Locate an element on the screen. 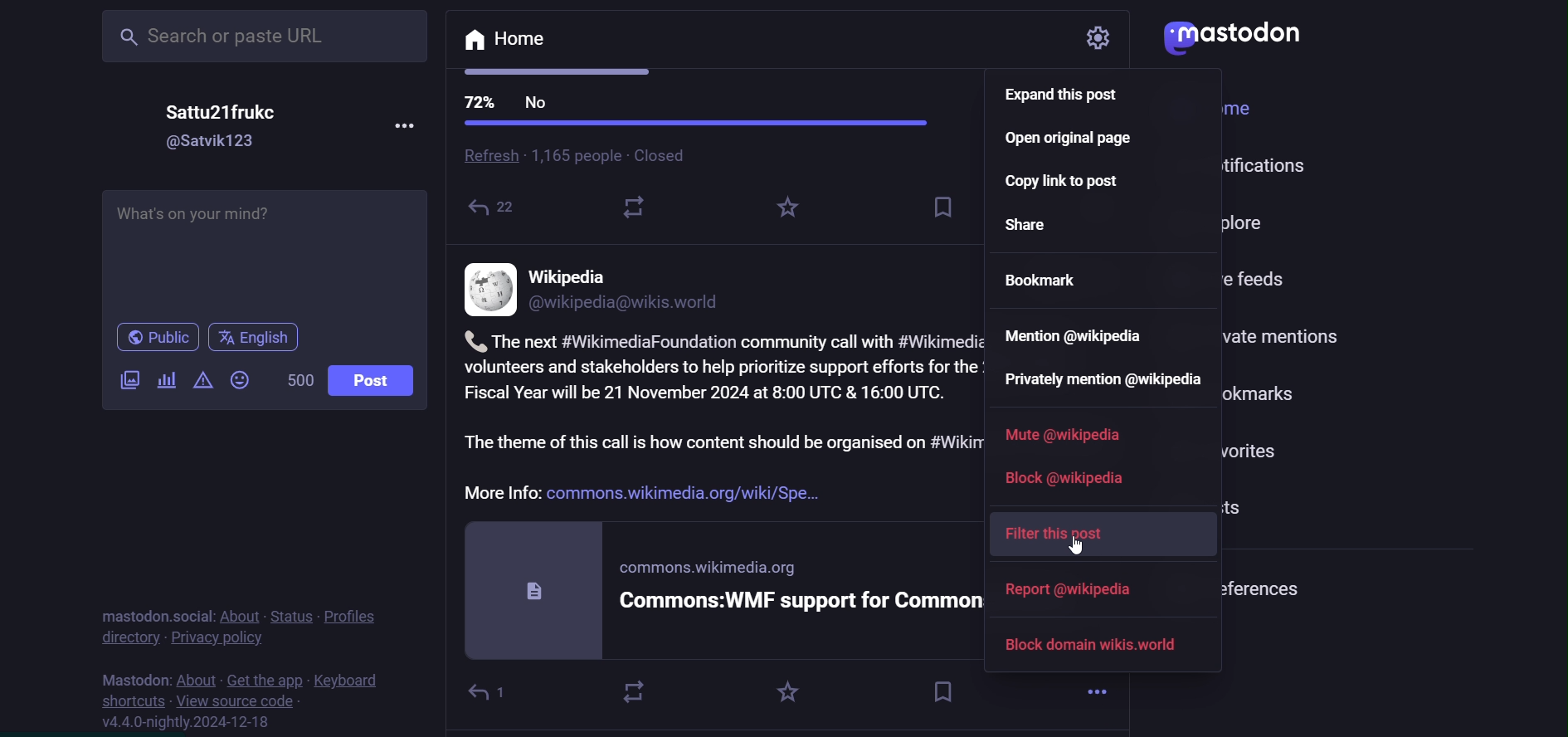 The width and height of the screenshot is (1568, 737). name is located at coordinates (221, 110).